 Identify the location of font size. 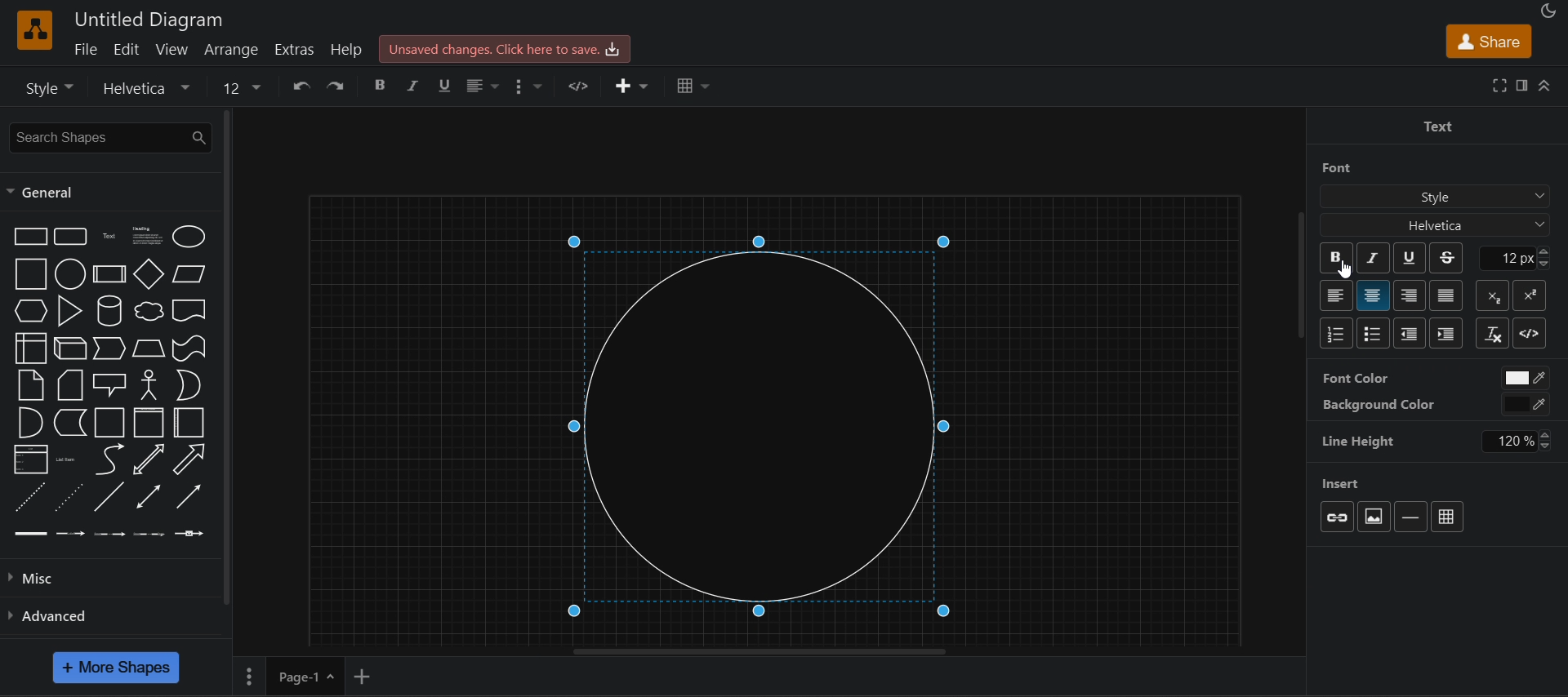
(238, 89).